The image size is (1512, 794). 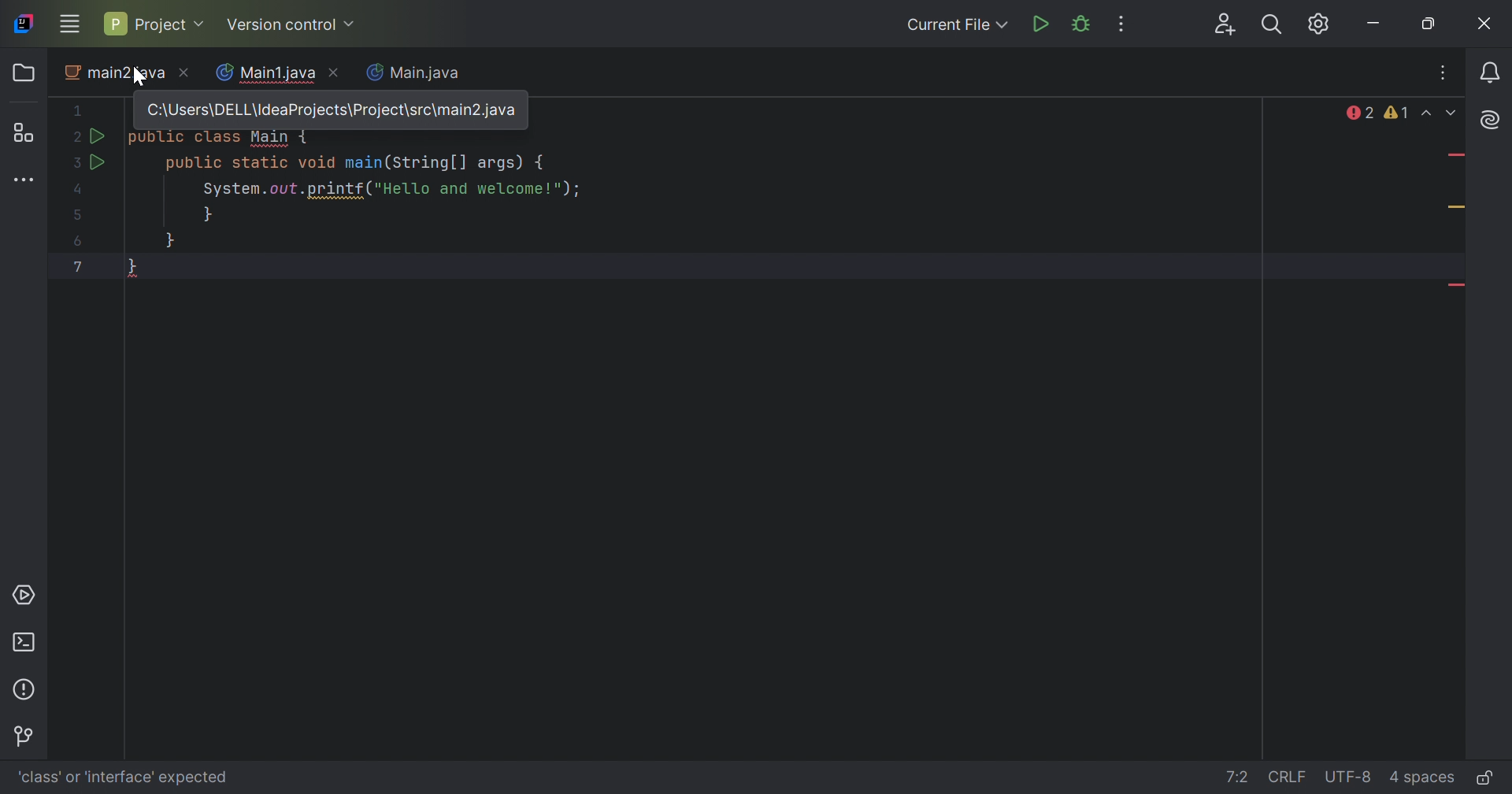 I want to click on Main Menu, so click(x=69, y=24).